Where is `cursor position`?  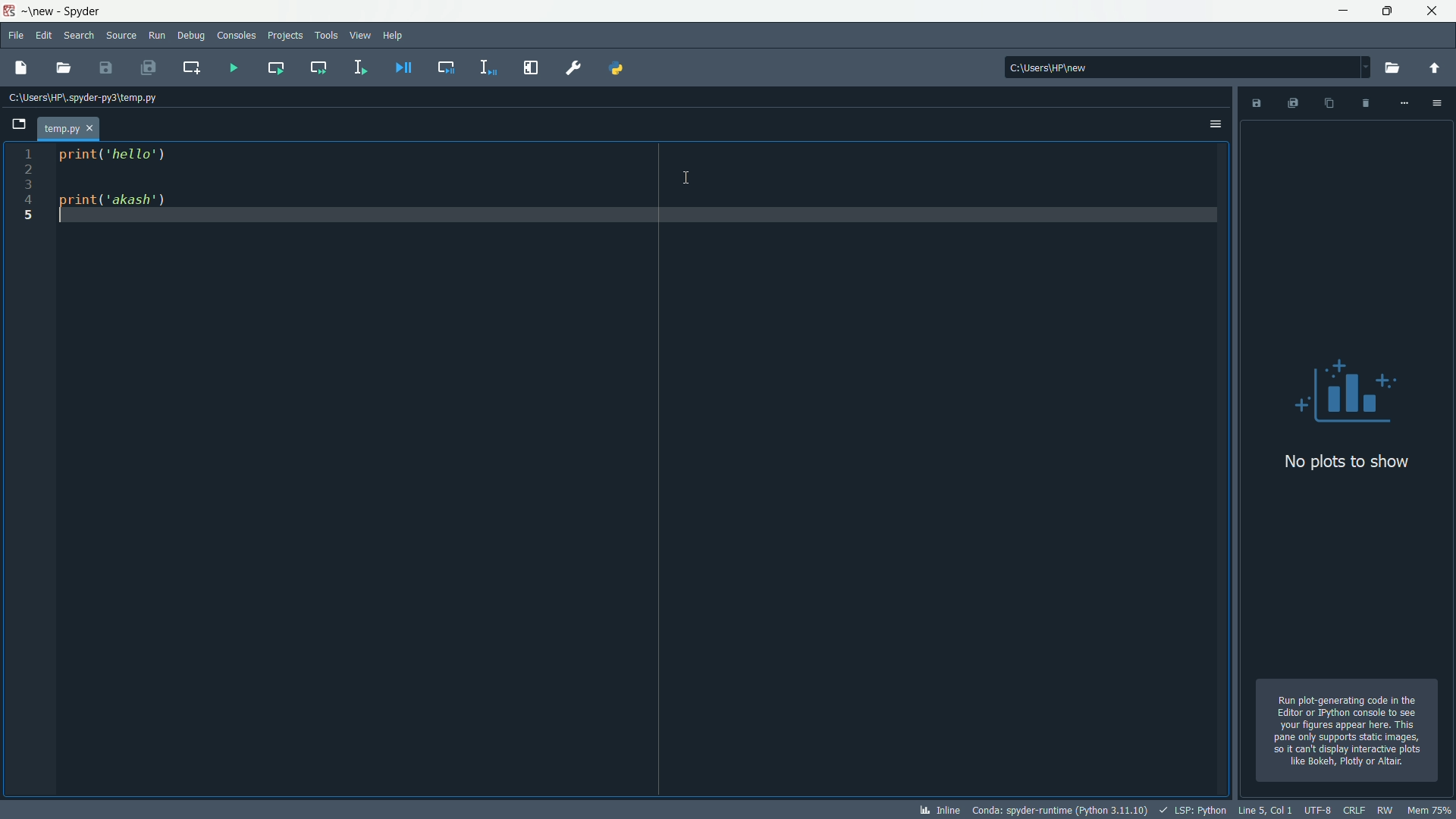
cursor position is located at coordinates (1266, 810).